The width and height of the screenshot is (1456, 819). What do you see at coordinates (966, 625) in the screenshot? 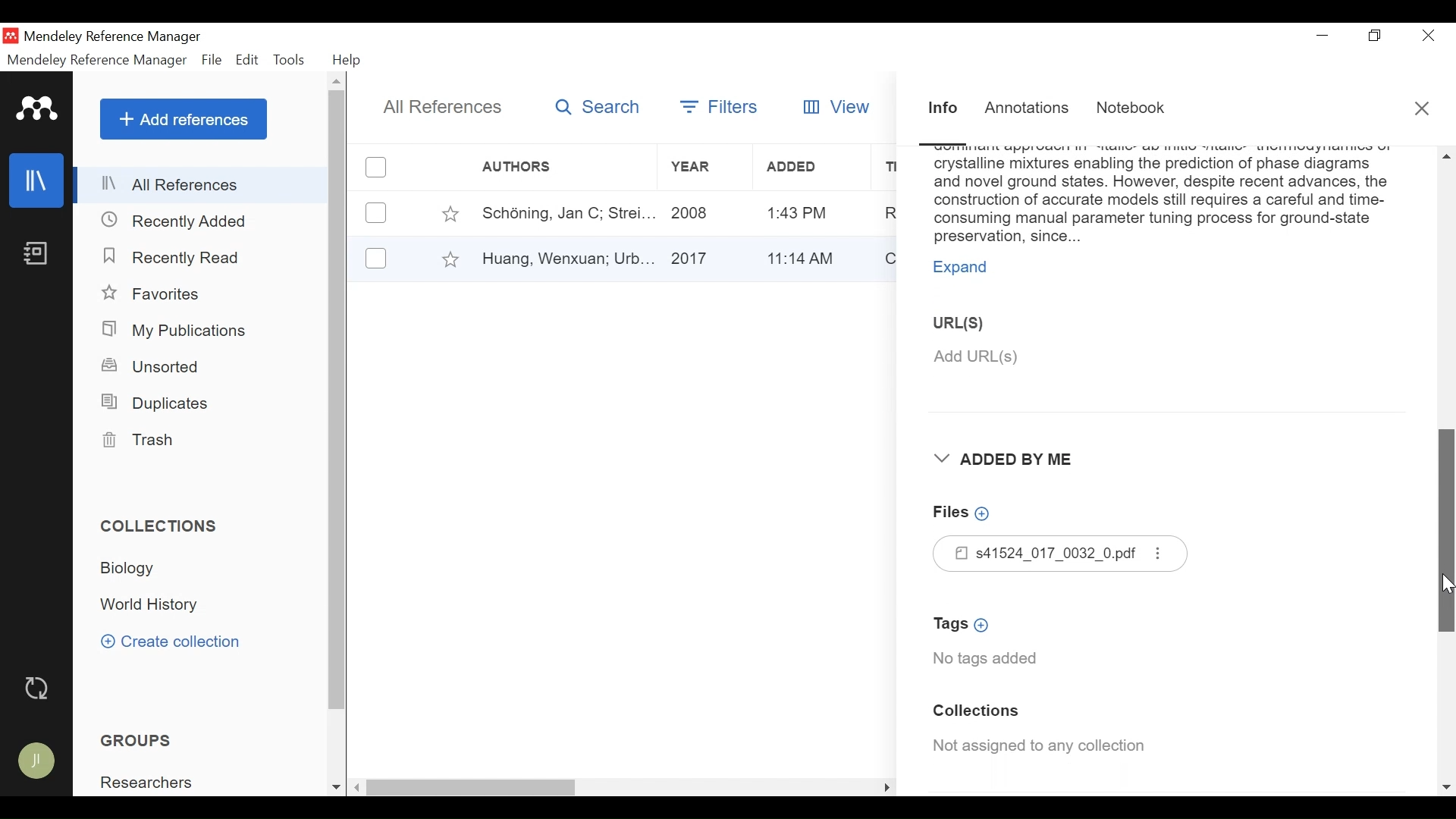
I see `Add Tags` at bounding box center [966, 625].